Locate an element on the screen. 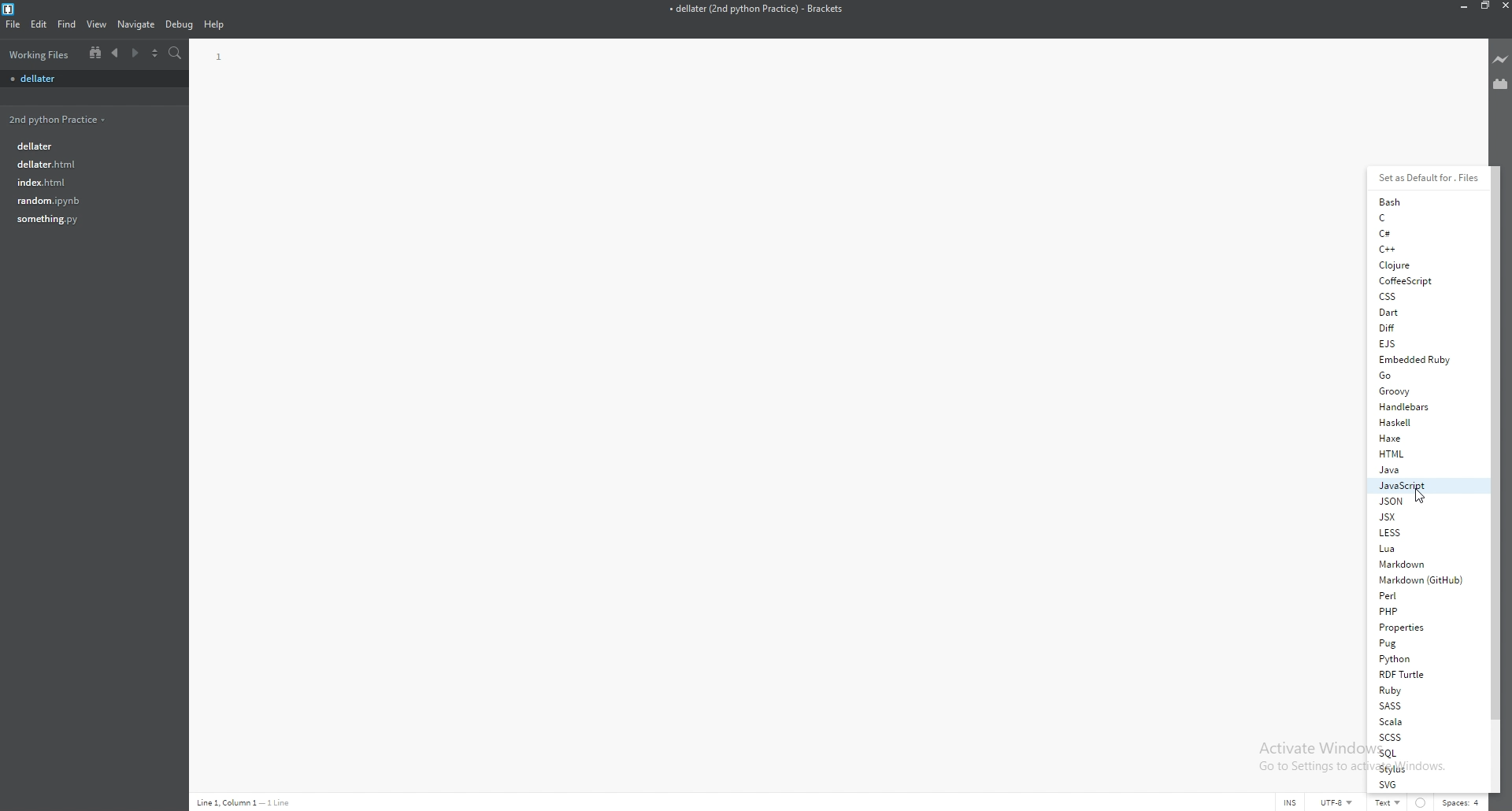 The width and height of the screenshot is (1512, 811). set as default is located at coordinates (1429, 179).